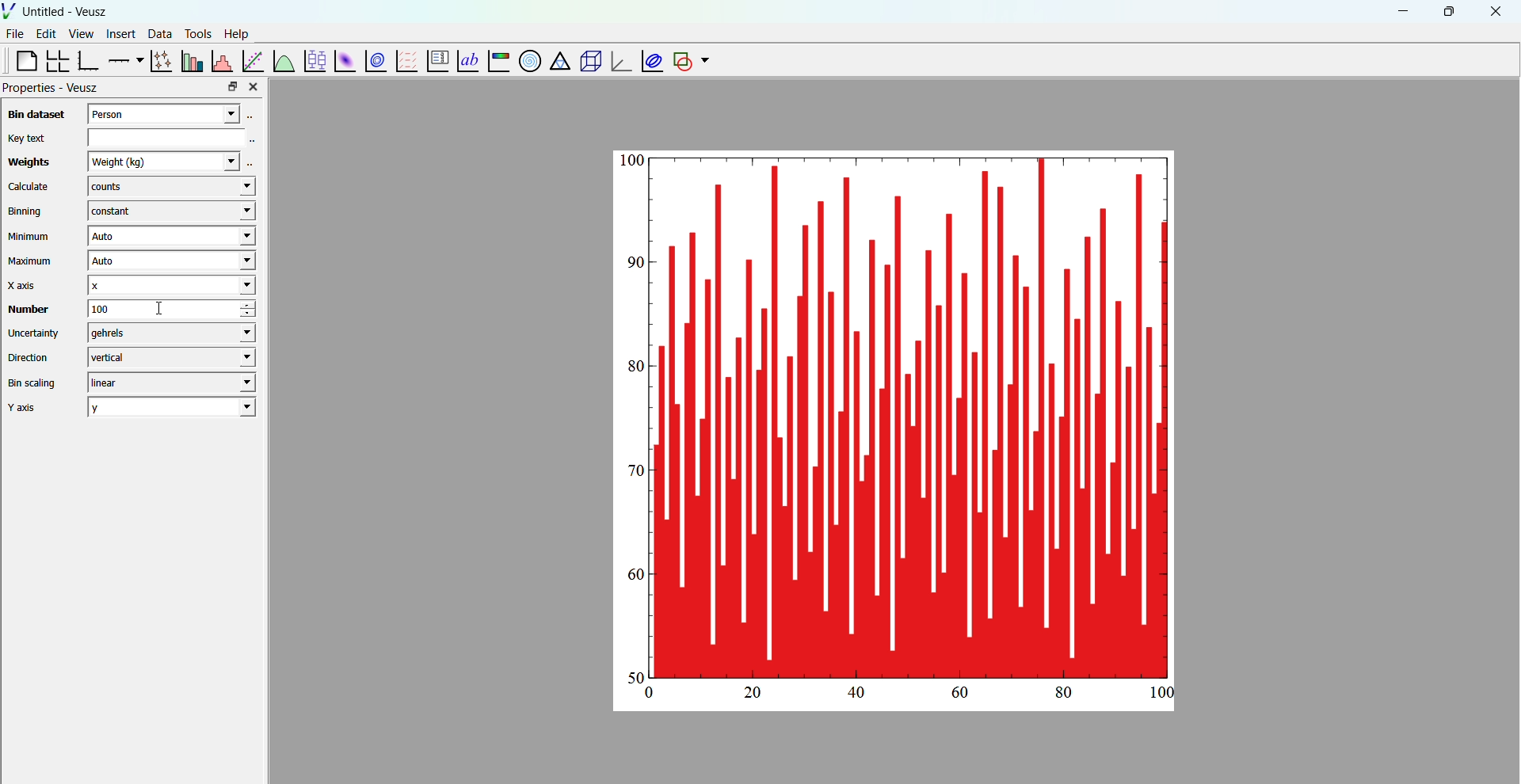  What do you see at coordinates (124, 59) in the screenshot?
I see `add an axis to a plot` at bounding box center [124, 59].